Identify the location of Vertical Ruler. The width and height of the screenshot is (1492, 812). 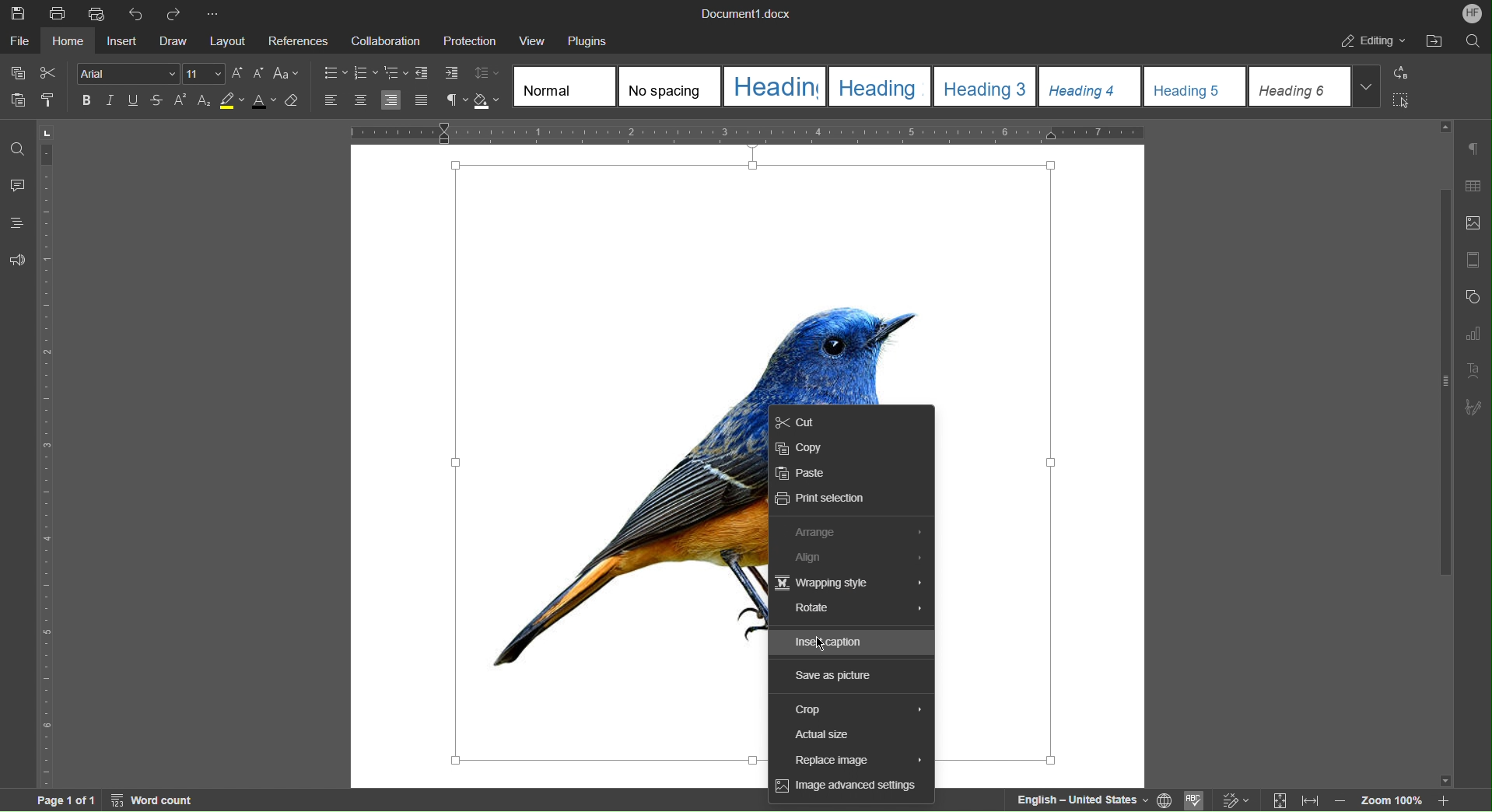
(48, 452).